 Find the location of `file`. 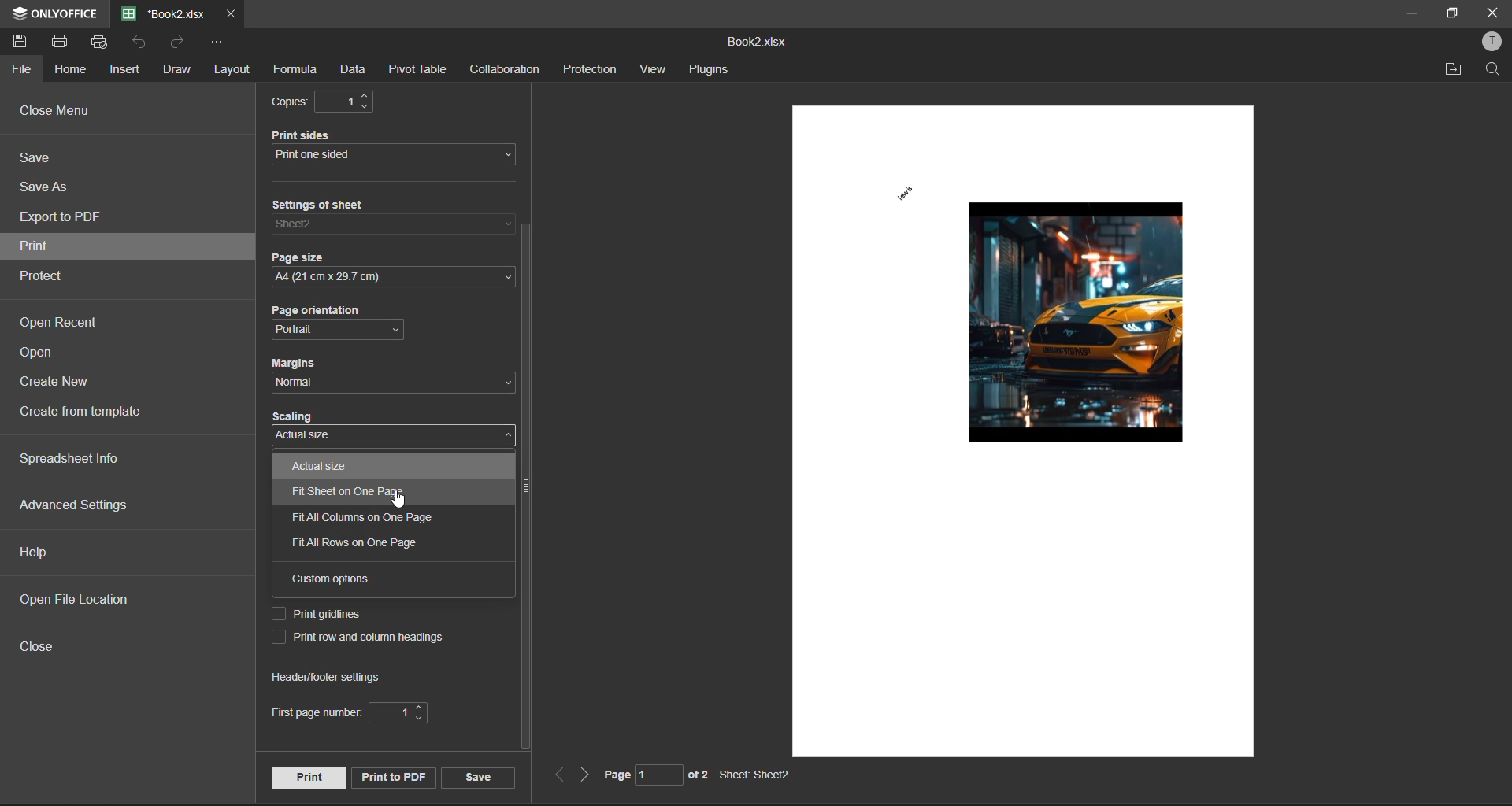

file is located at coordinates (24, 70).